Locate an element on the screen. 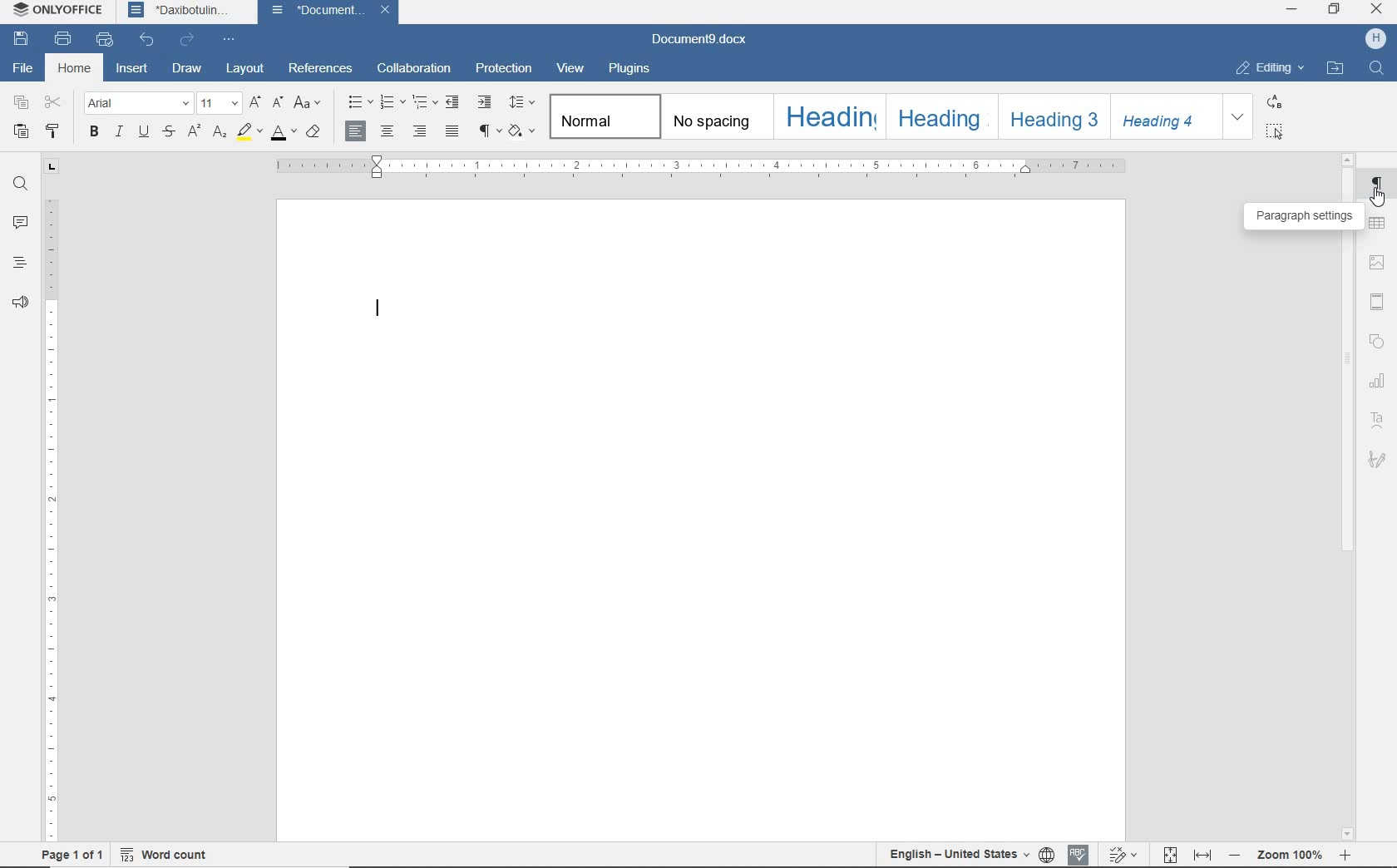 The width and height of the screenshot is (1397, 868). decrease indent is located at coordinates (452, 104).